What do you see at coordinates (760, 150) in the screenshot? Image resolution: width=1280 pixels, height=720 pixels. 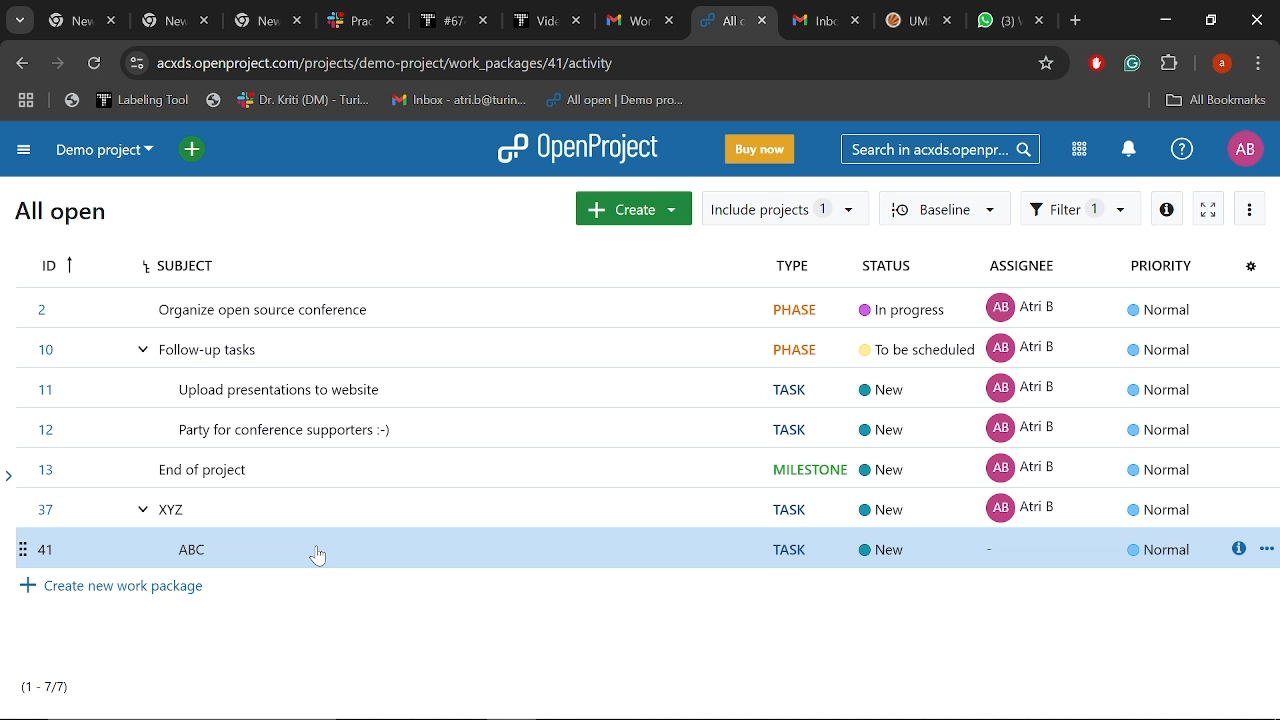 I see `Buy now` at bounding box center [760, 150].